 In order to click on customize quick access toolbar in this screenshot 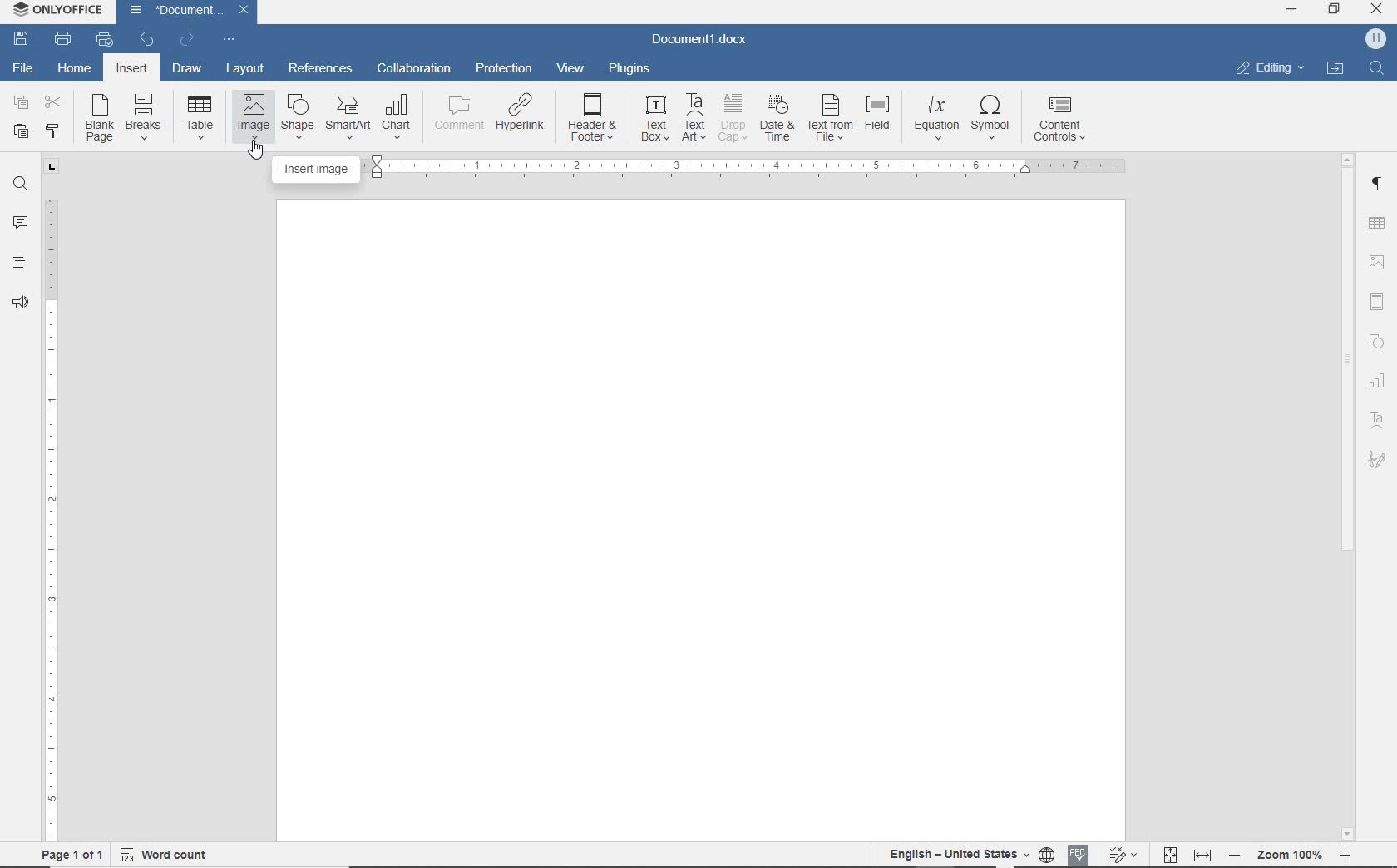, I will do `click(229, 39)`.